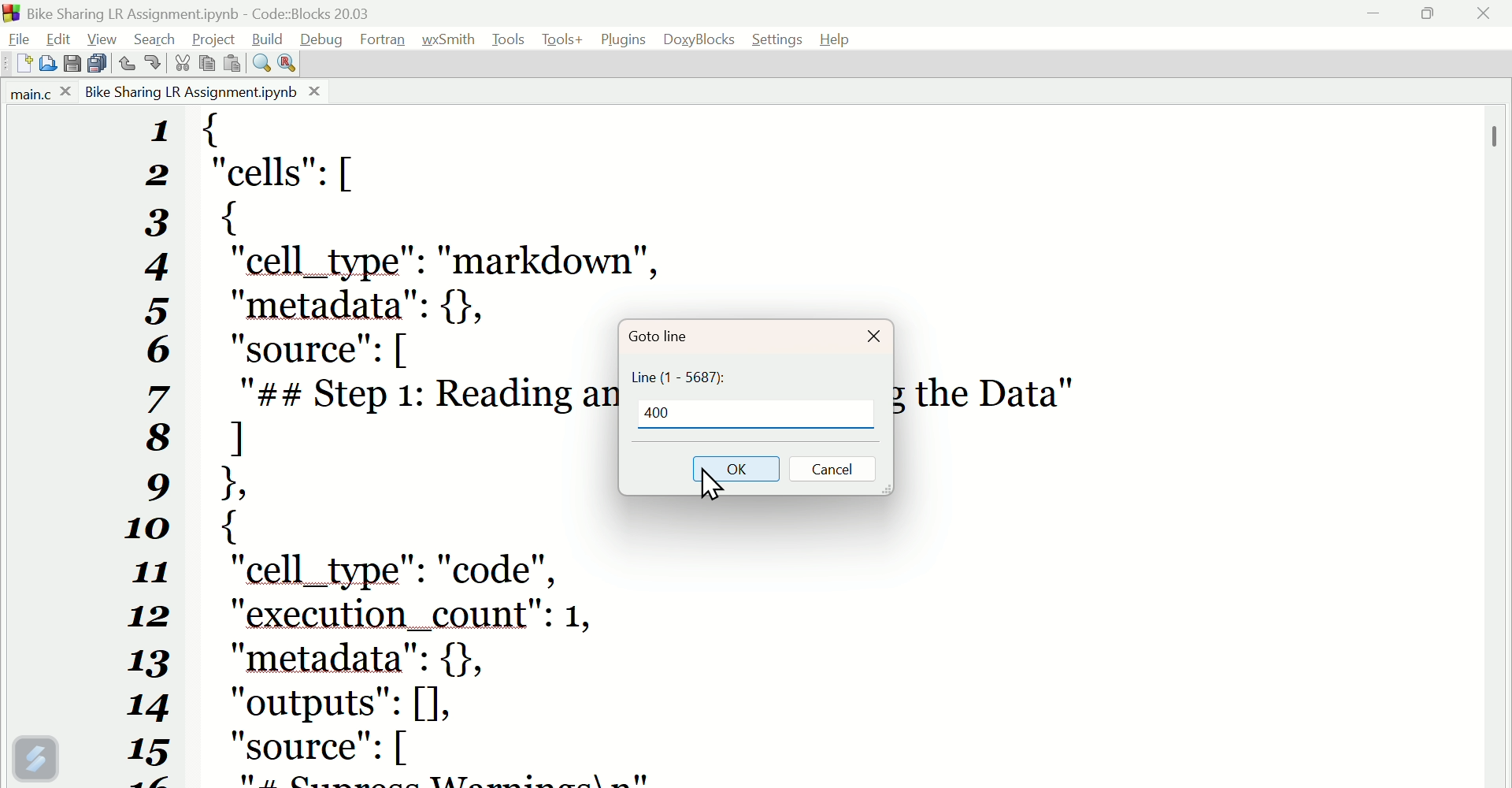 This screenshot has width=1512, height=788. I want to click on help, so click(841, 38).